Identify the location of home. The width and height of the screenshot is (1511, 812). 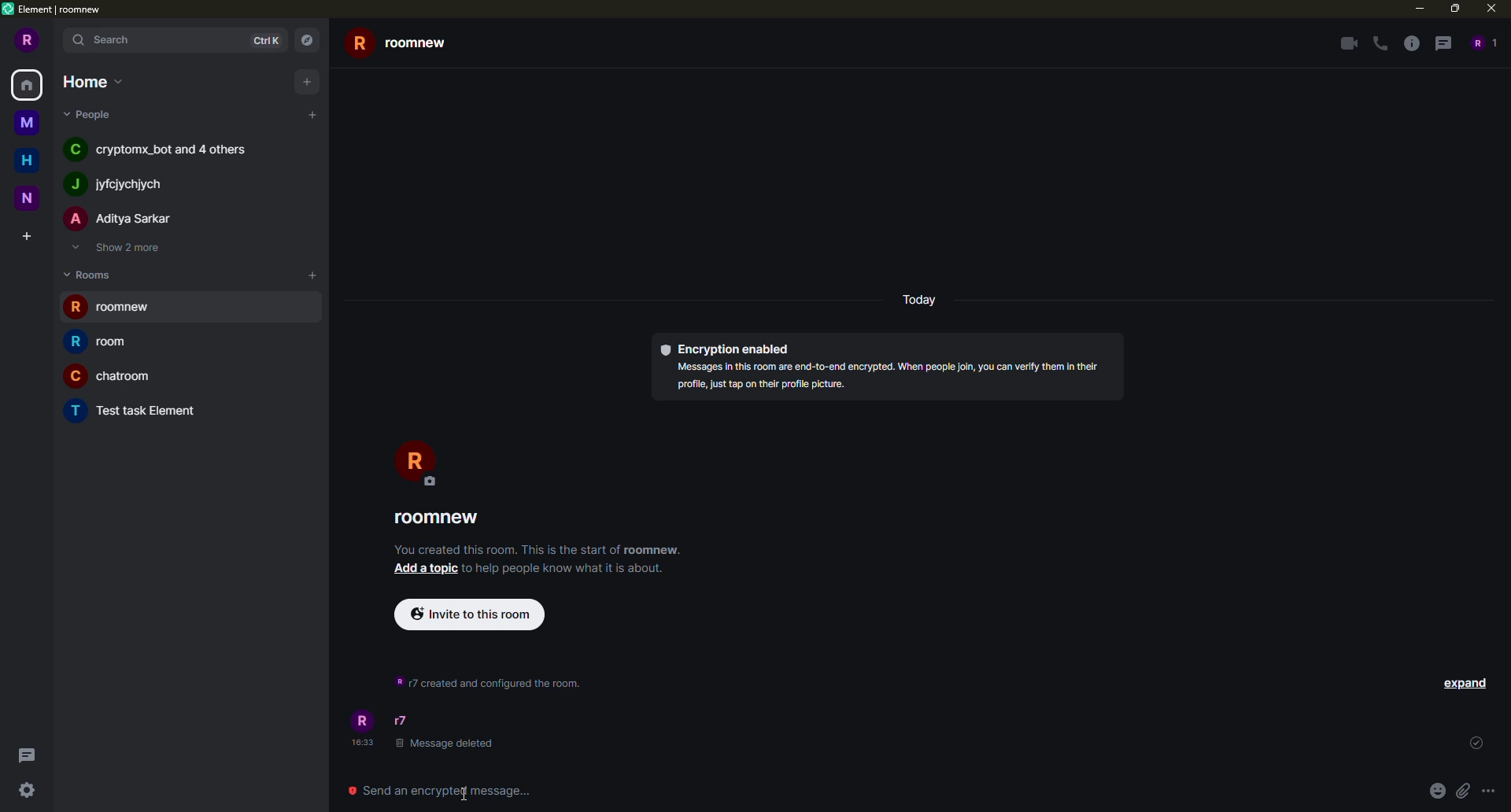
(100, 81).